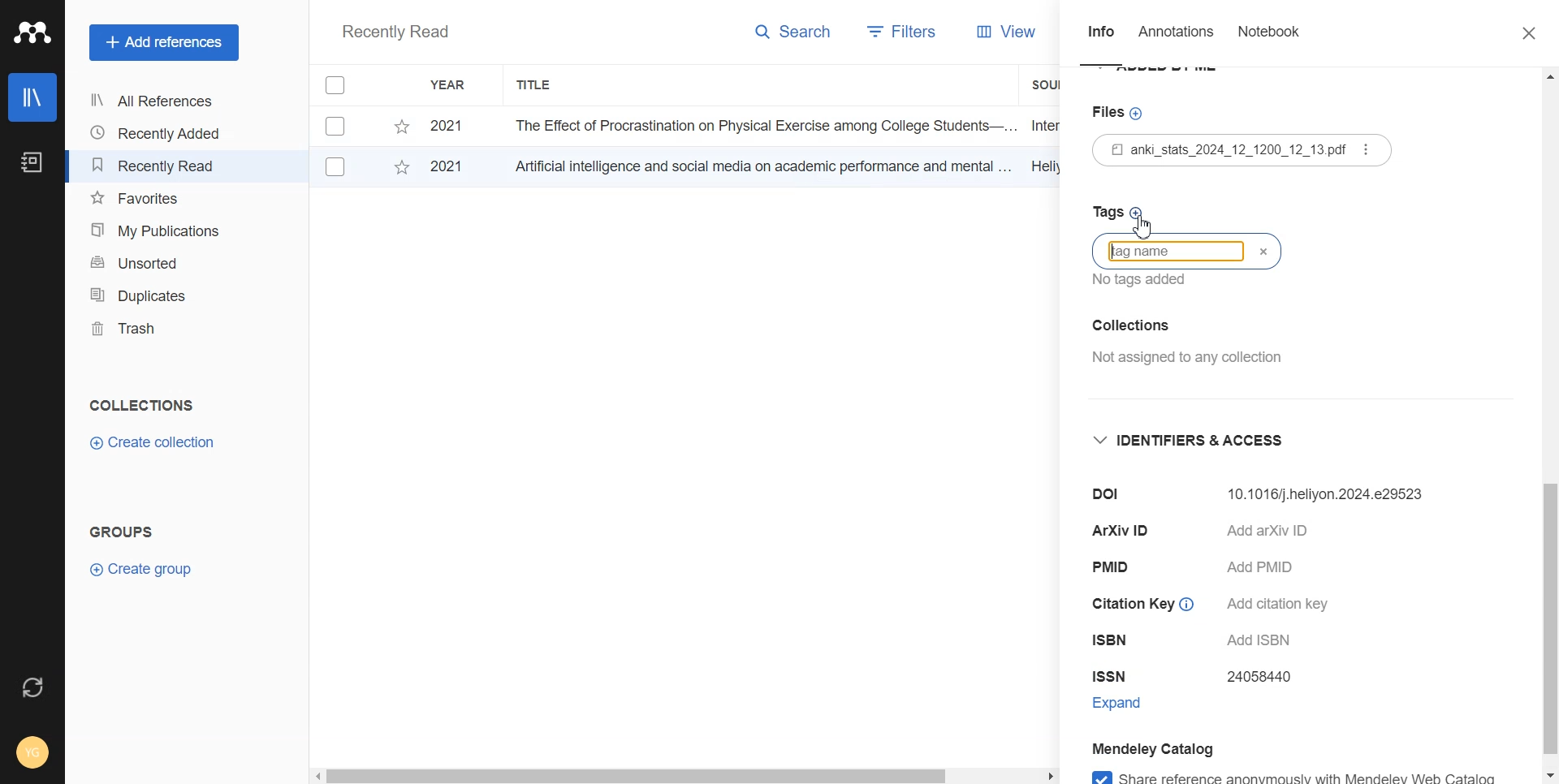 Image resolution: width=1559 pixels, height=784 pixels. I want to click on Add Tag, so click(1169, 251).